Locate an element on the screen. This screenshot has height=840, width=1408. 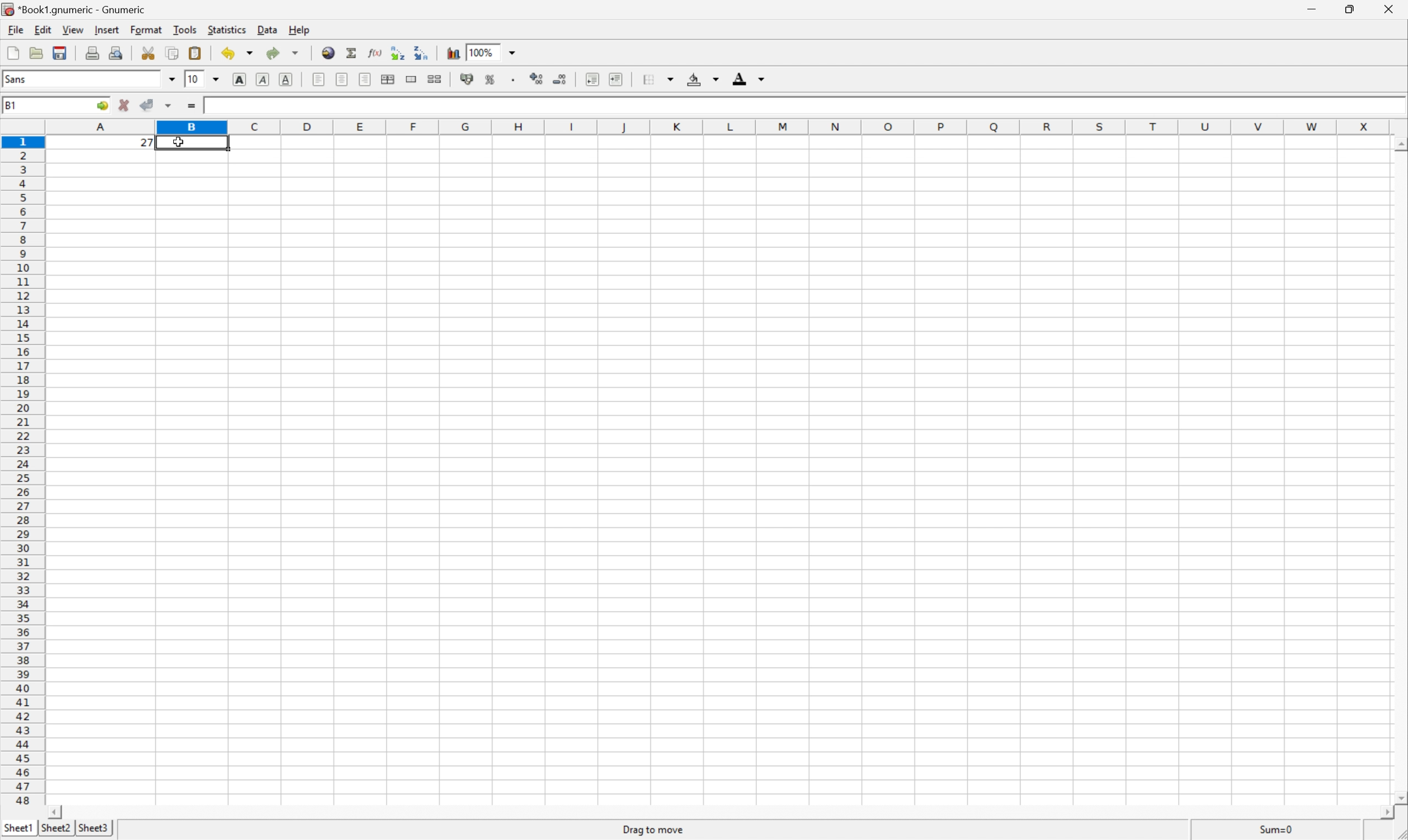
Open a file is located at coordinates (37, 53).